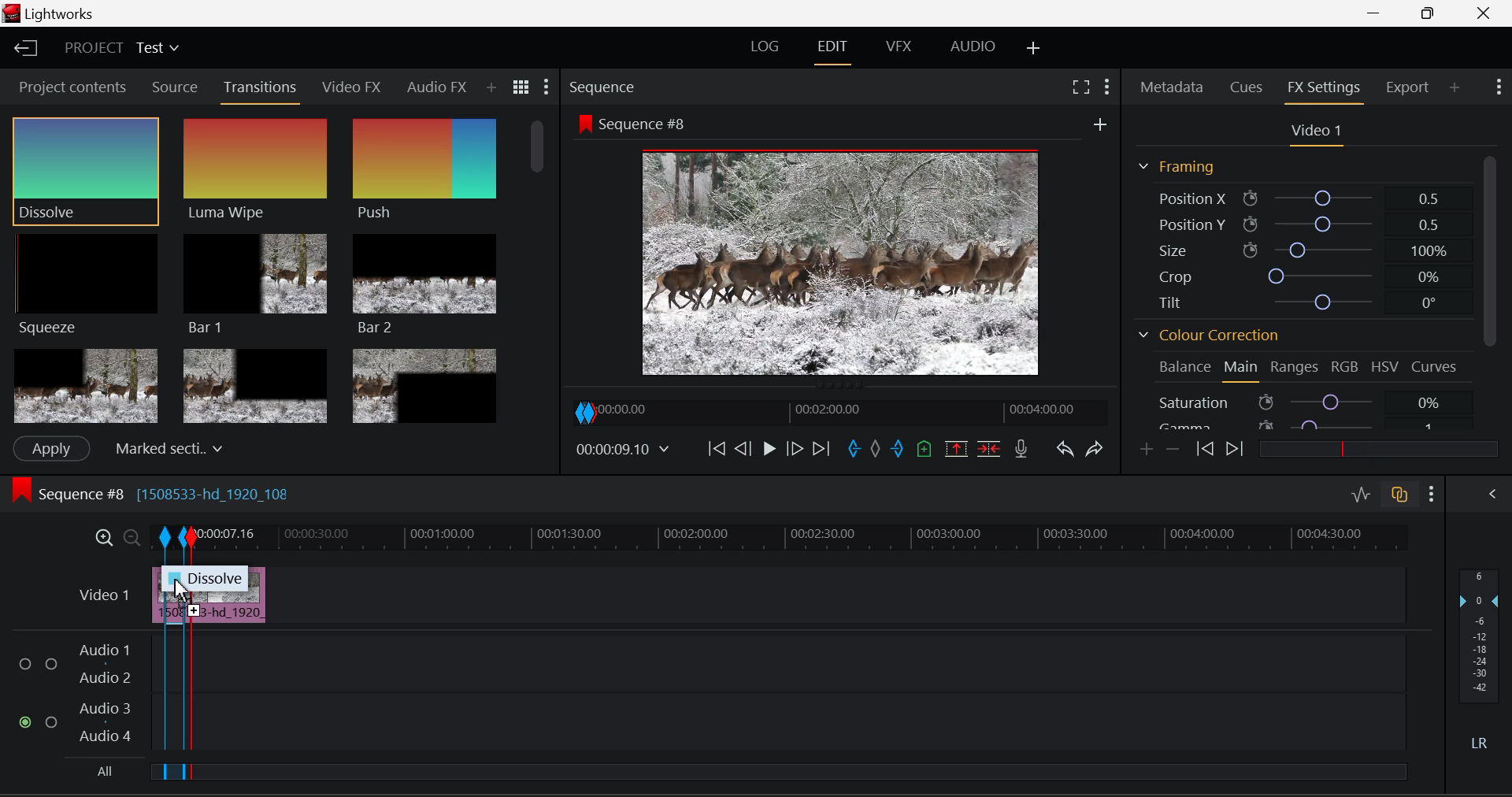  I want to click on Segment Created with In and Out, so click(173, 656).